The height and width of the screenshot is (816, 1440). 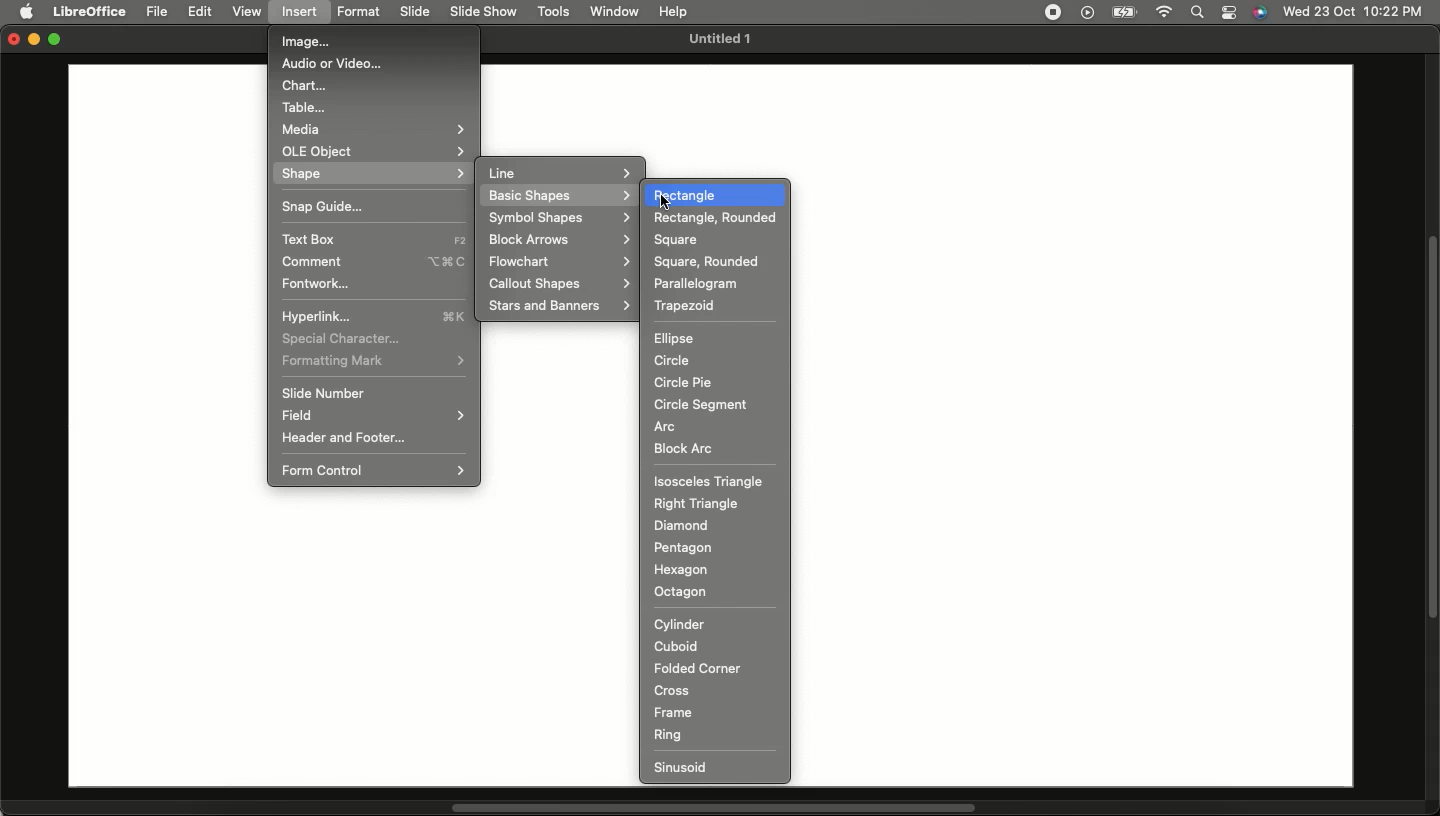 What do you see at coordinates (377, 261) in the screenshot?
I see `Comment` at bounding box center [377, 261].